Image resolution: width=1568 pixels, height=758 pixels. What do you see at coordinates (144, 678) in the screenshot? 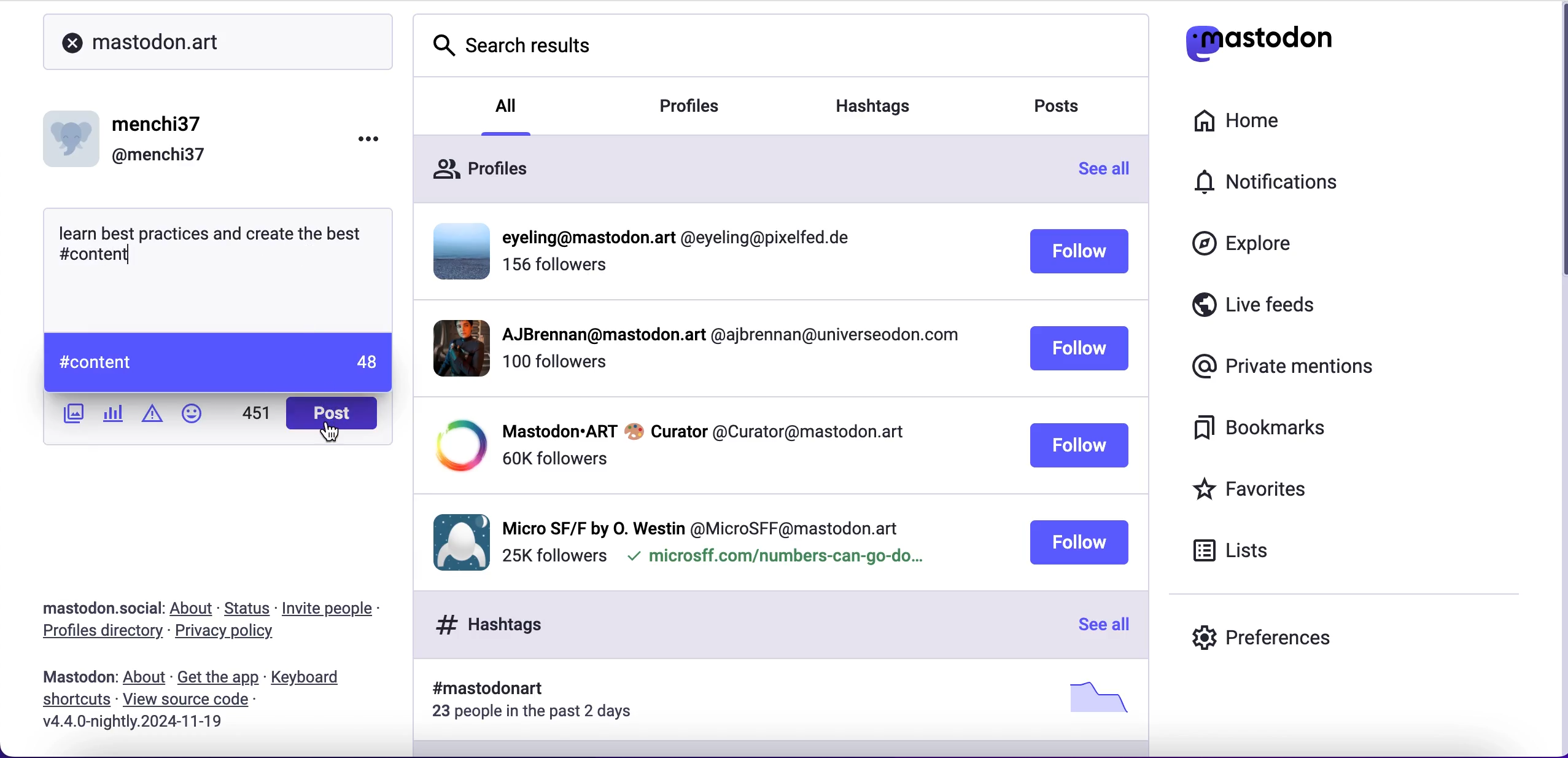
I see `about` at bounding box center [144, 678].